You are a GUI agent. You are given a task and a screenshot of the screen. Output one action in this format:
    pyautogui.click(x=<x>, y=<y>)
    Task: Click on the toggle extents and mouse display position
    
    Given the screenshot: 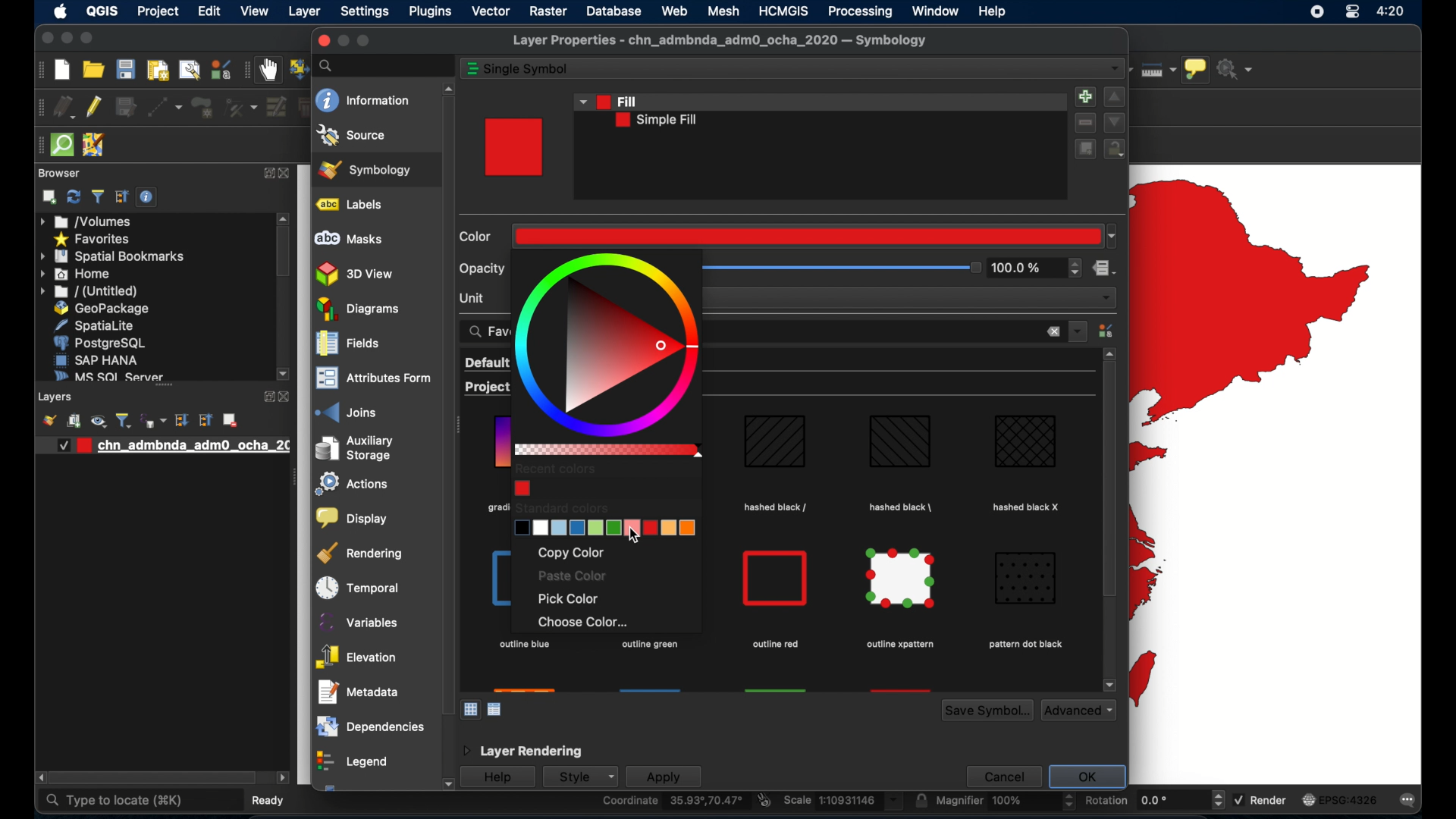 What is the action you would take?
    pyautogui.click(x=764, y=800)
    